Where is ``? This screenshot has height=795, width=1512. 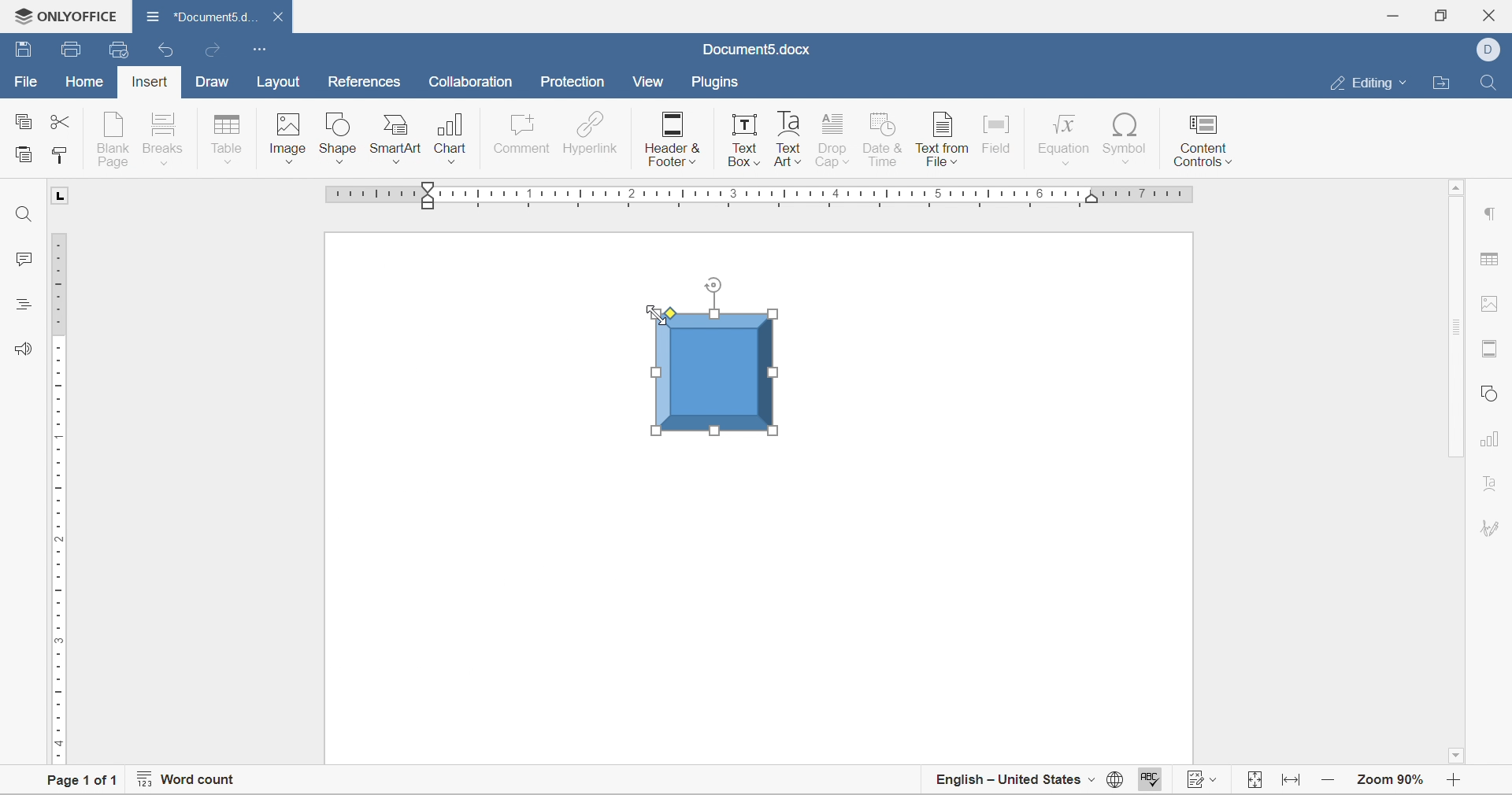  is located at coordinates (453, 162).